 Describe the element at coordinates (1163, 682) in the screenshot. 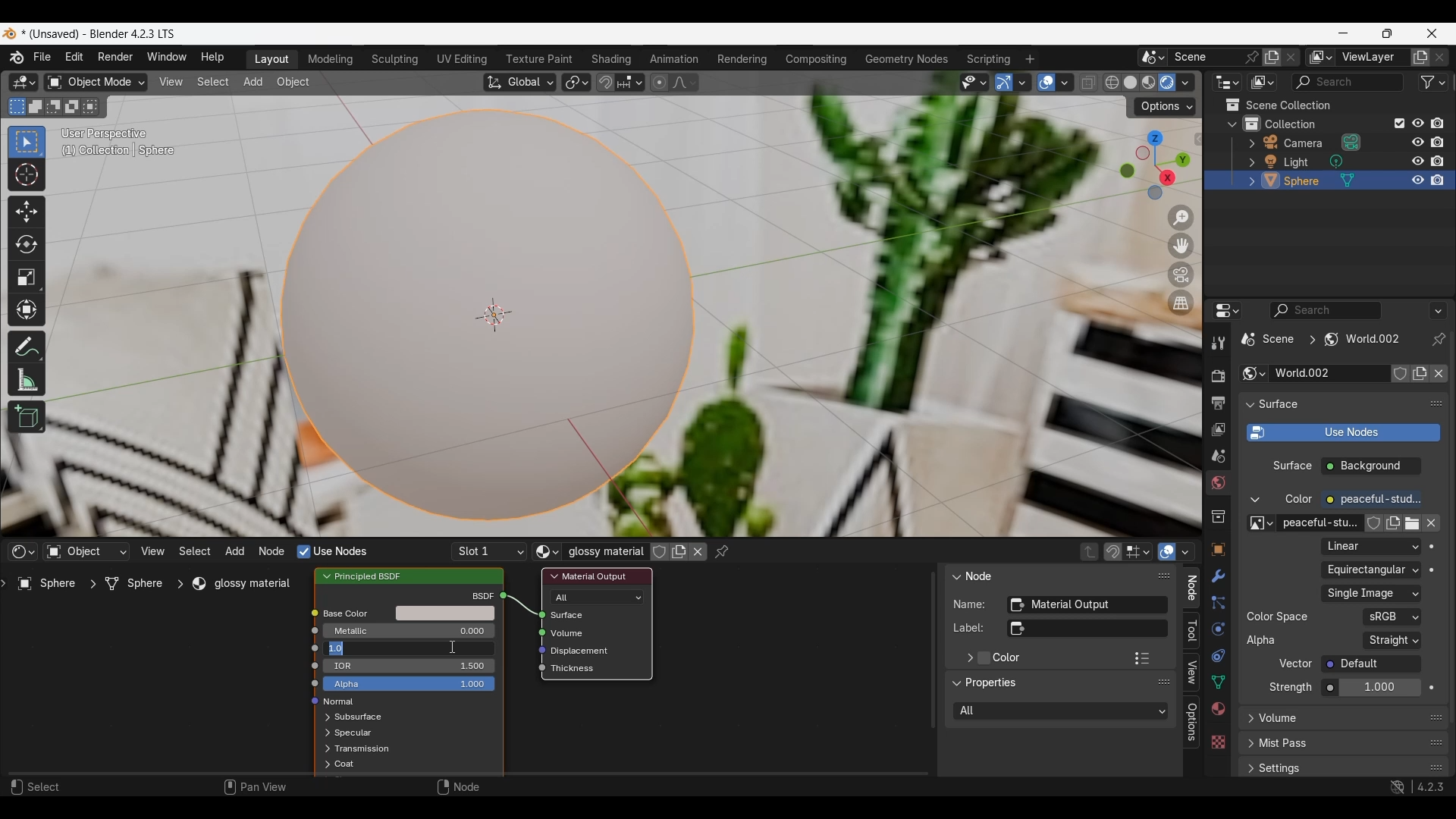

I see `Float panel` at that location.